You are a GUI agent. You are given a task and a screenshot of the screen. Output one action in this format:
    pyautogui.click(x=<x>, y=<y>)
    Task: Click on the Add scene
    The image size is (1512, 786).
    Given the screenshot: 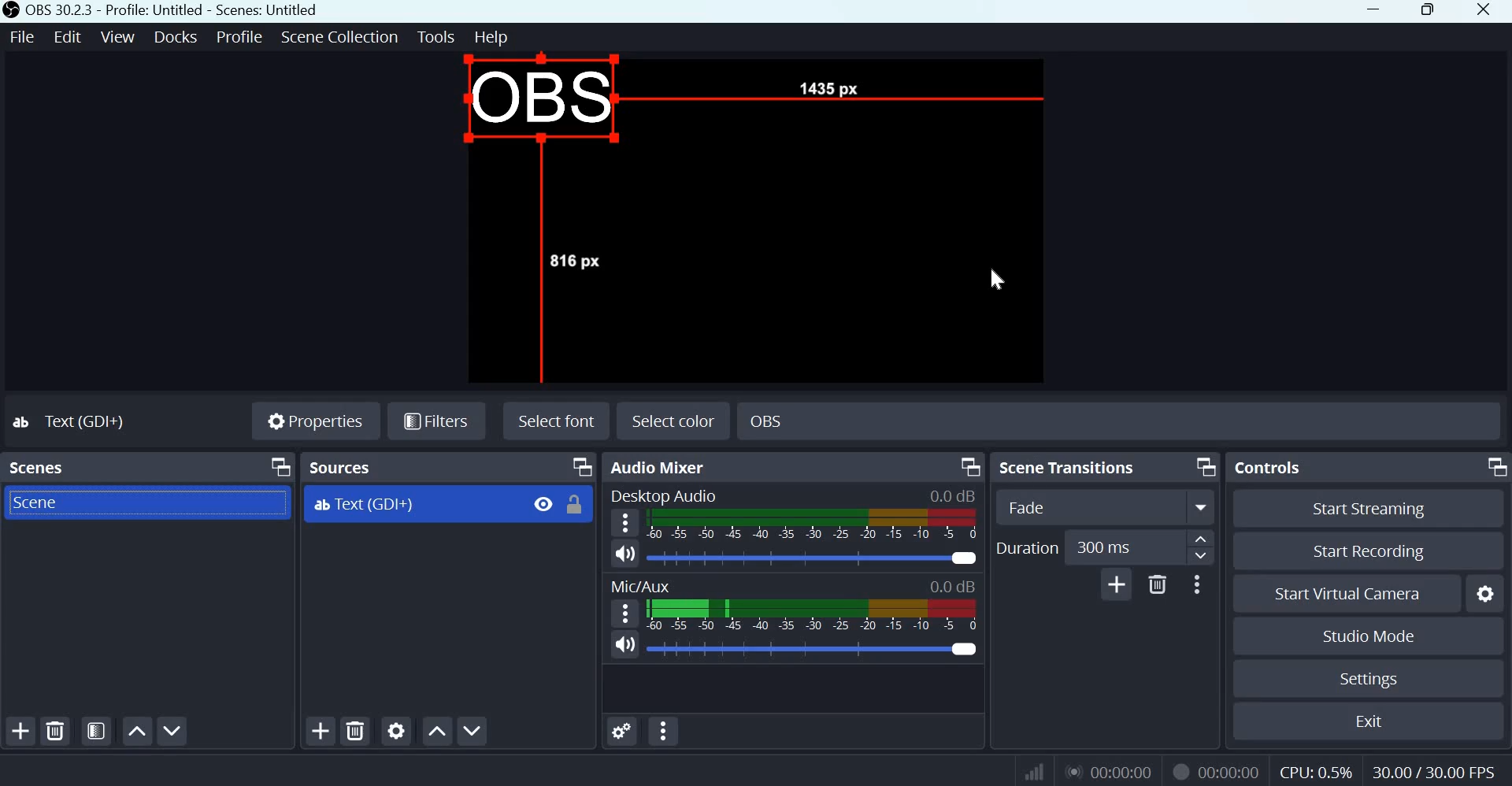 What is the action you would take?
    pyautogui.click(x=21, y=732)
    